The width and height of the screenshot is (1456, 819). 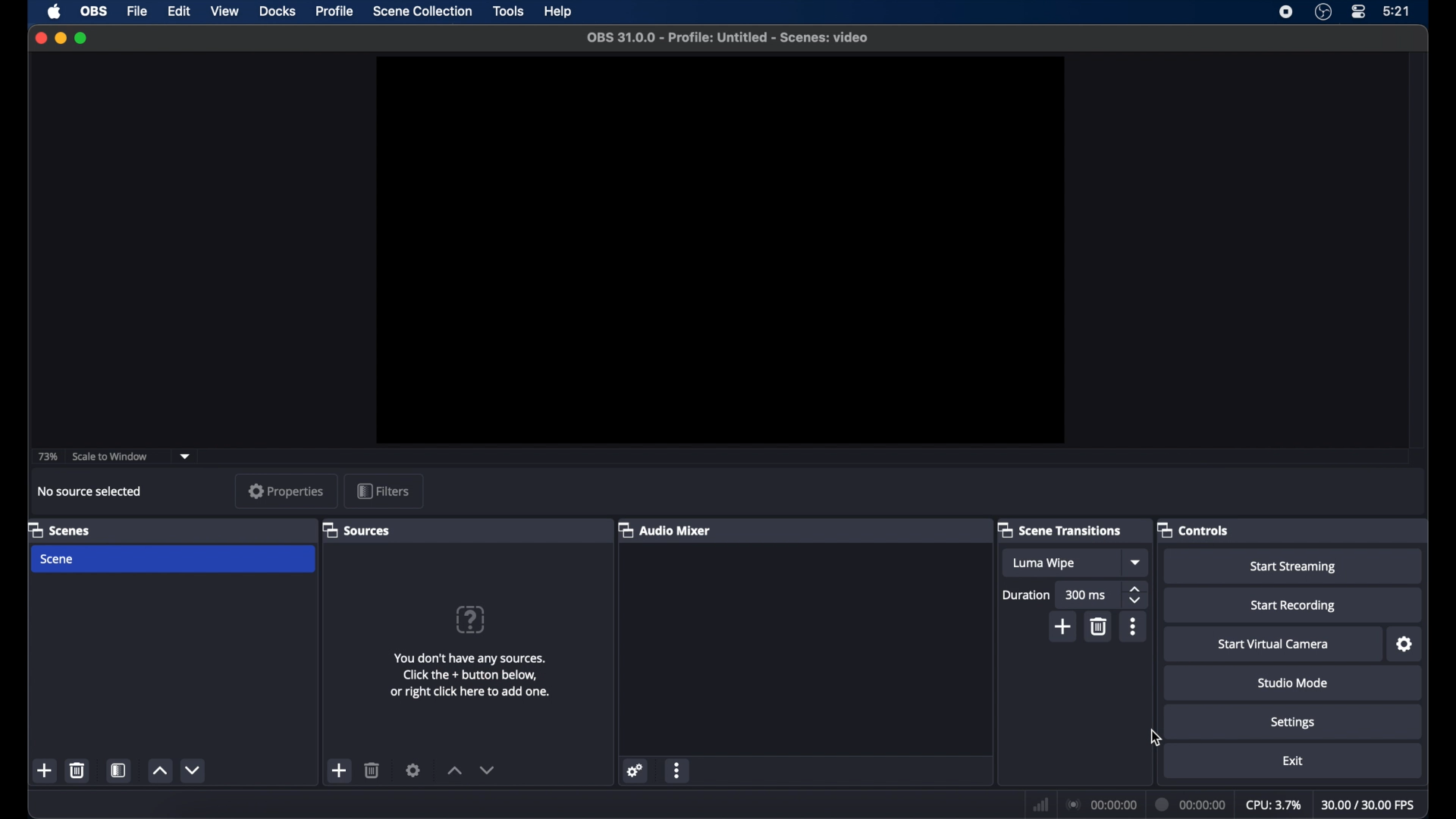 What do you see at coordinates (1292, 761) in the screenshot?
I see `exit` at bounding box center [1292, 761].